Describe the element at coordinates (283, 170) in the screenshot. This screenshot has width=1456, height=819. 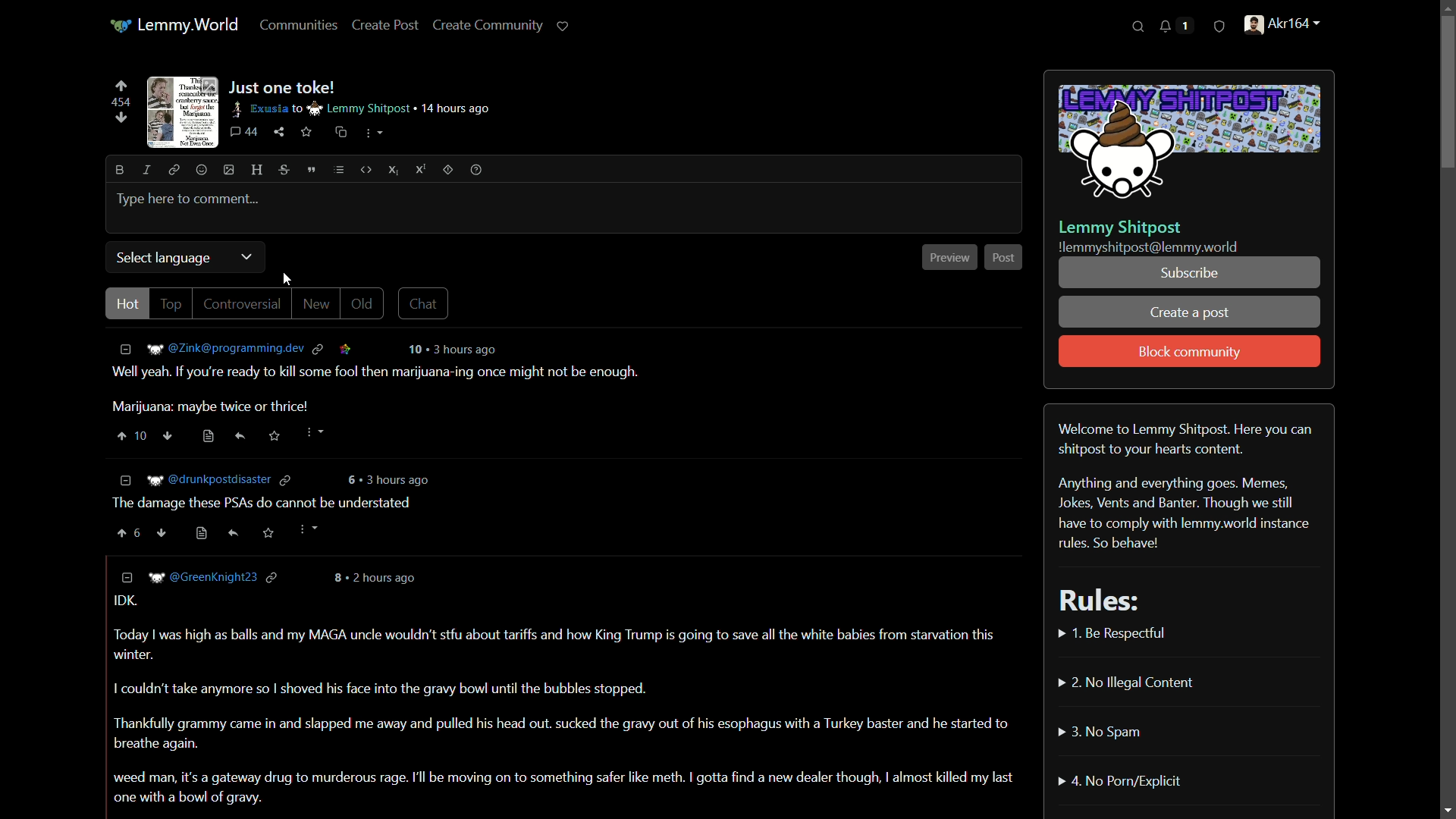
I see `strikethrough` at that location.